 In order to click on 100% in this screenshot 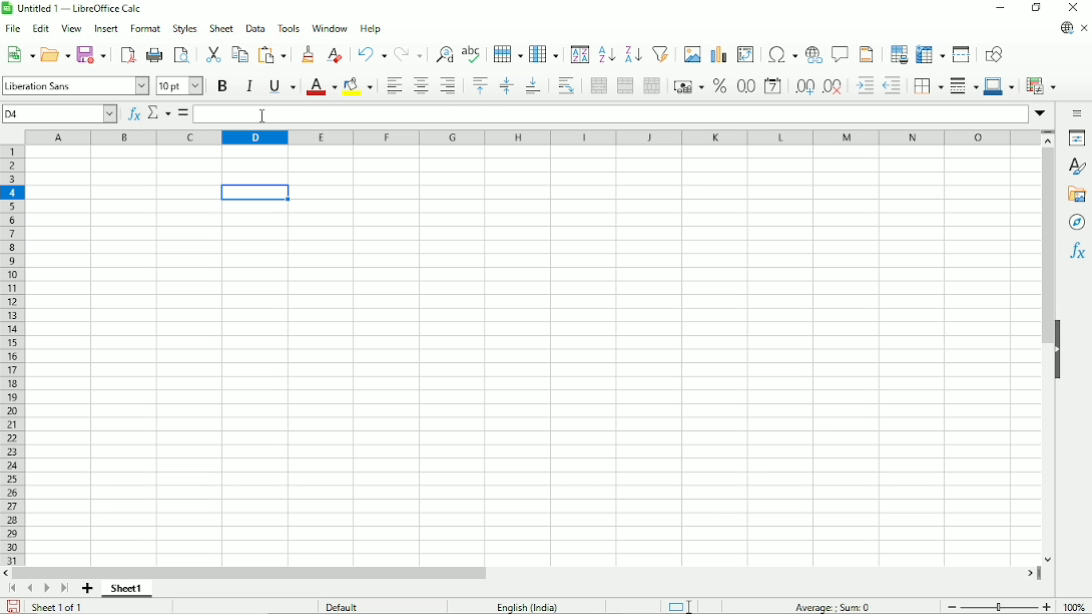, I will do `click(1074, 607)`.